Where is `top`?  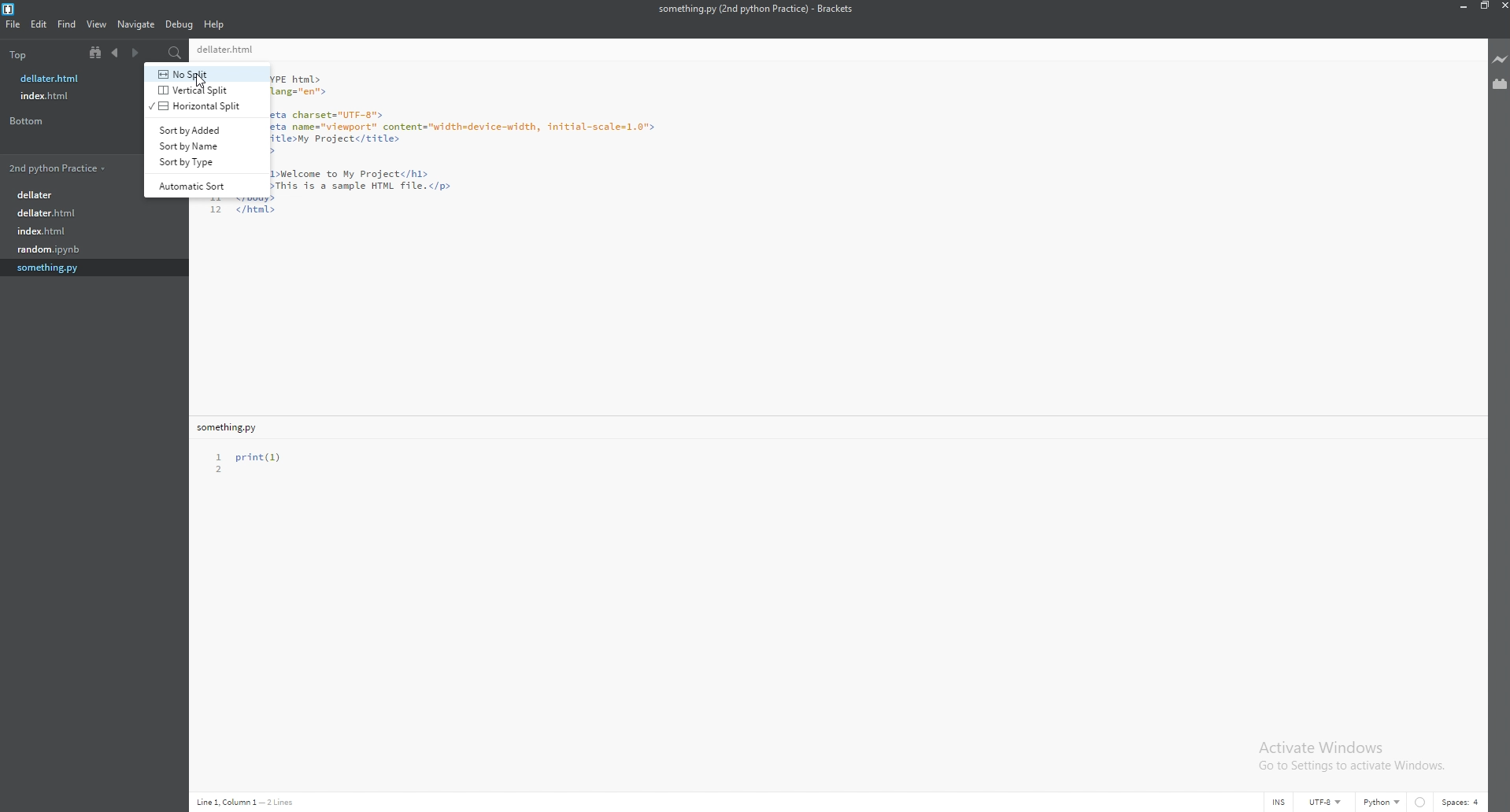 top is located at coordinates (30, 54).